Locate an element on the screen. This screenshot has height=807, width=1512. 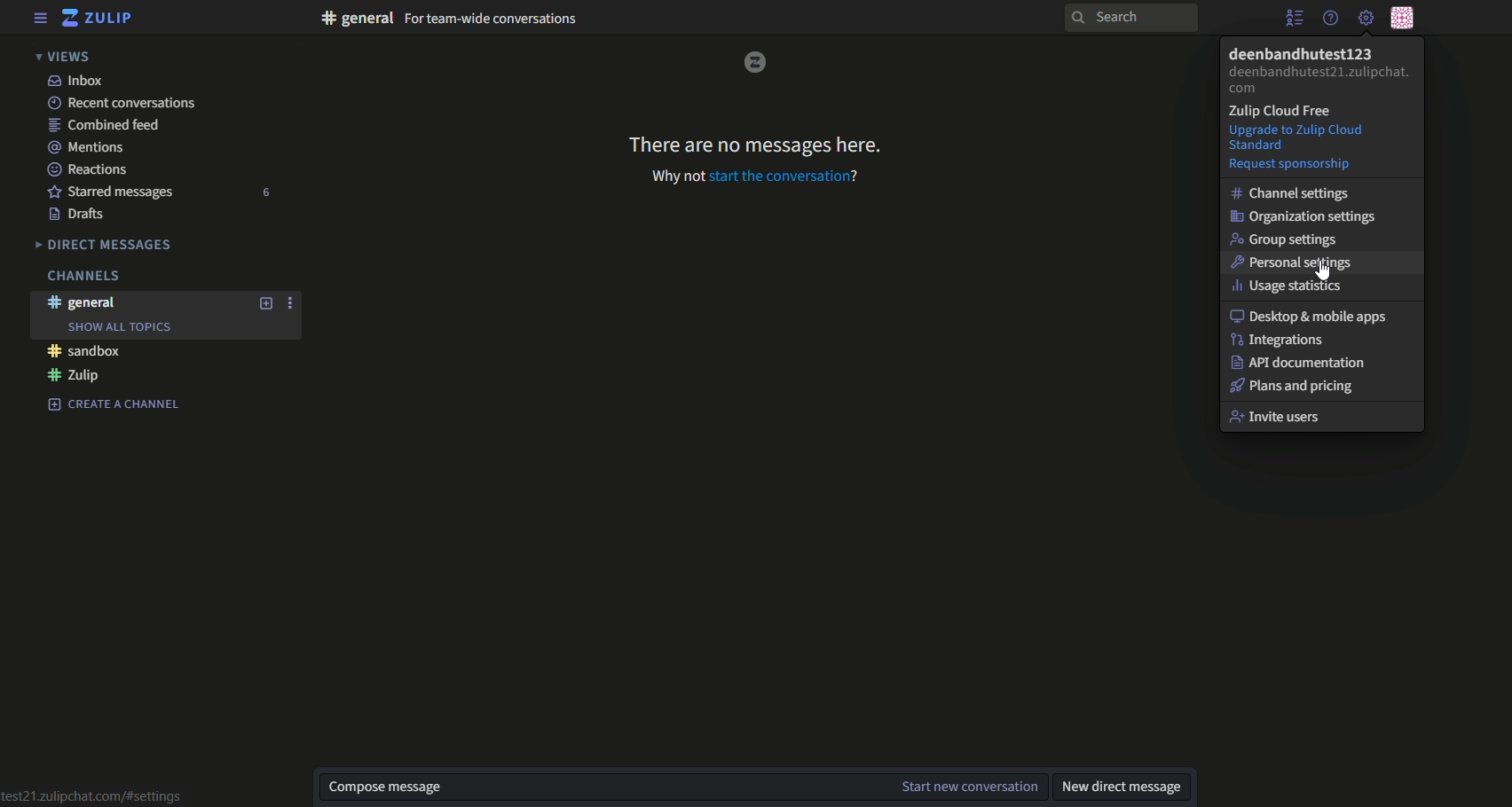
Plans and pricing is located at coordinates (1302, 387).